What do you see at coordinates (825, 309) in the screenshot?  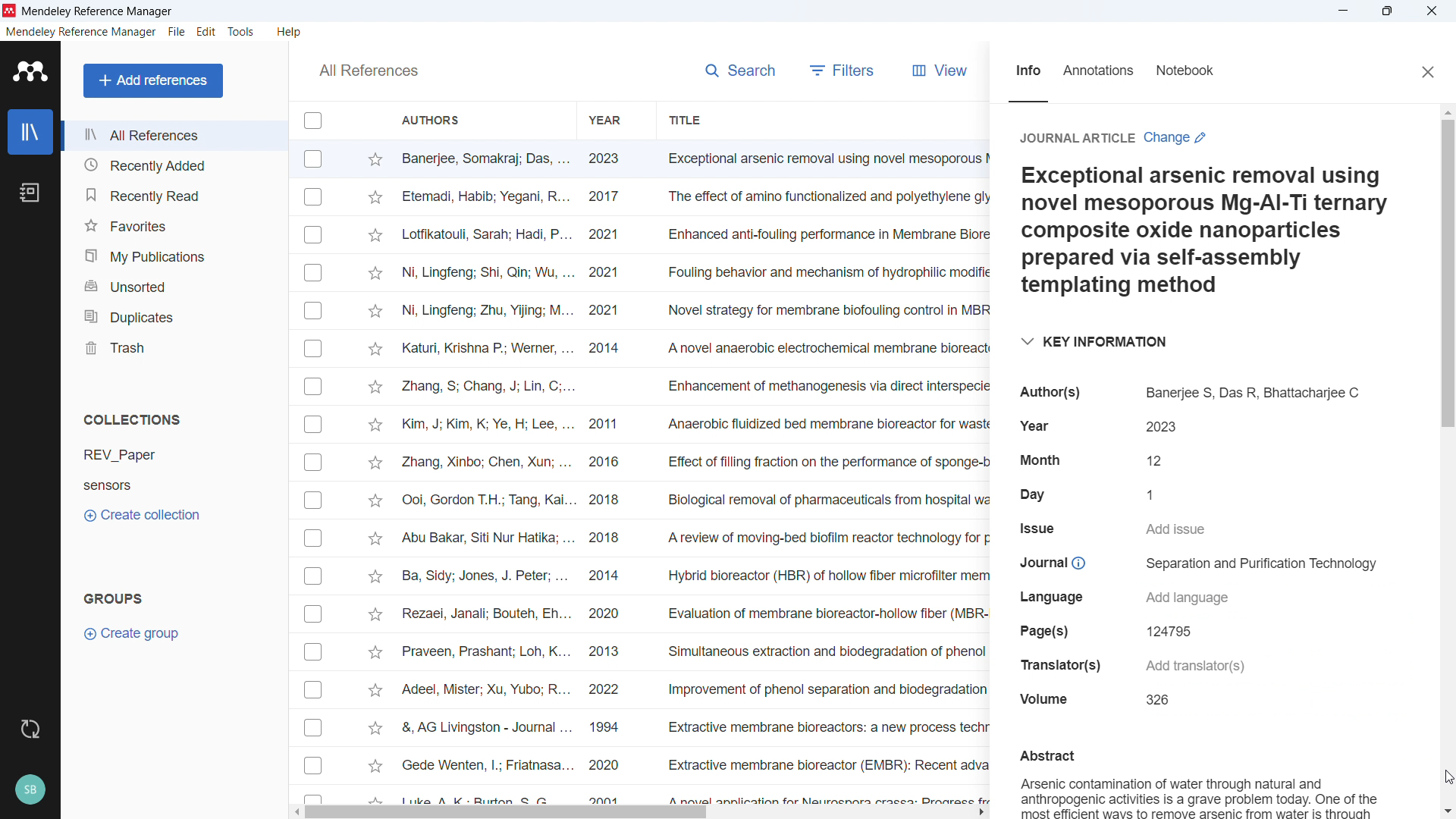 I see `novel strategy for membrane biofouling control in mbr with cds mil-101 mo` at bounding box center [825, 309].